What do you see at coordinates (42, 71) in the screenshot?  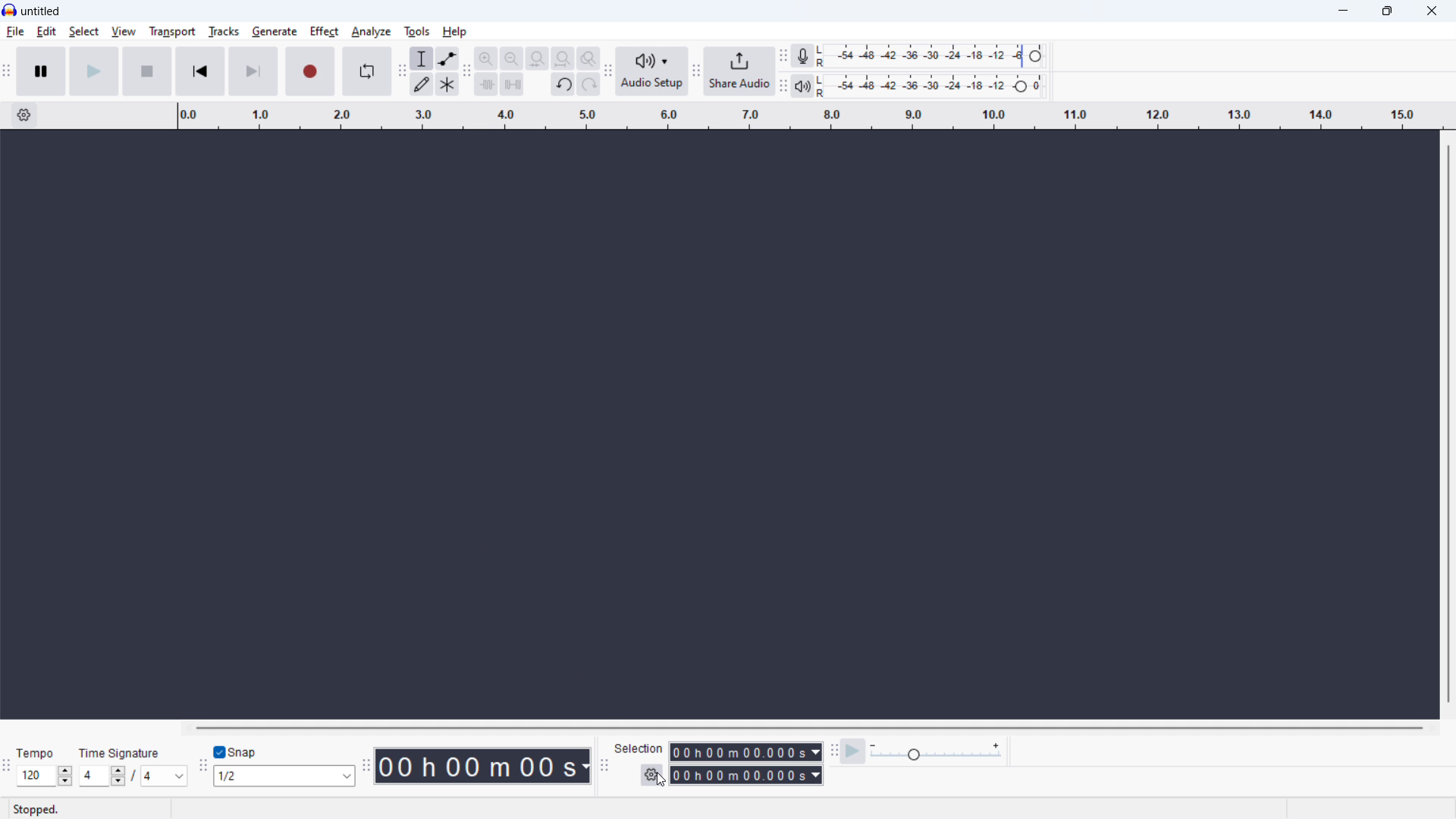 I see `pause` at bounding box center [42, 71].